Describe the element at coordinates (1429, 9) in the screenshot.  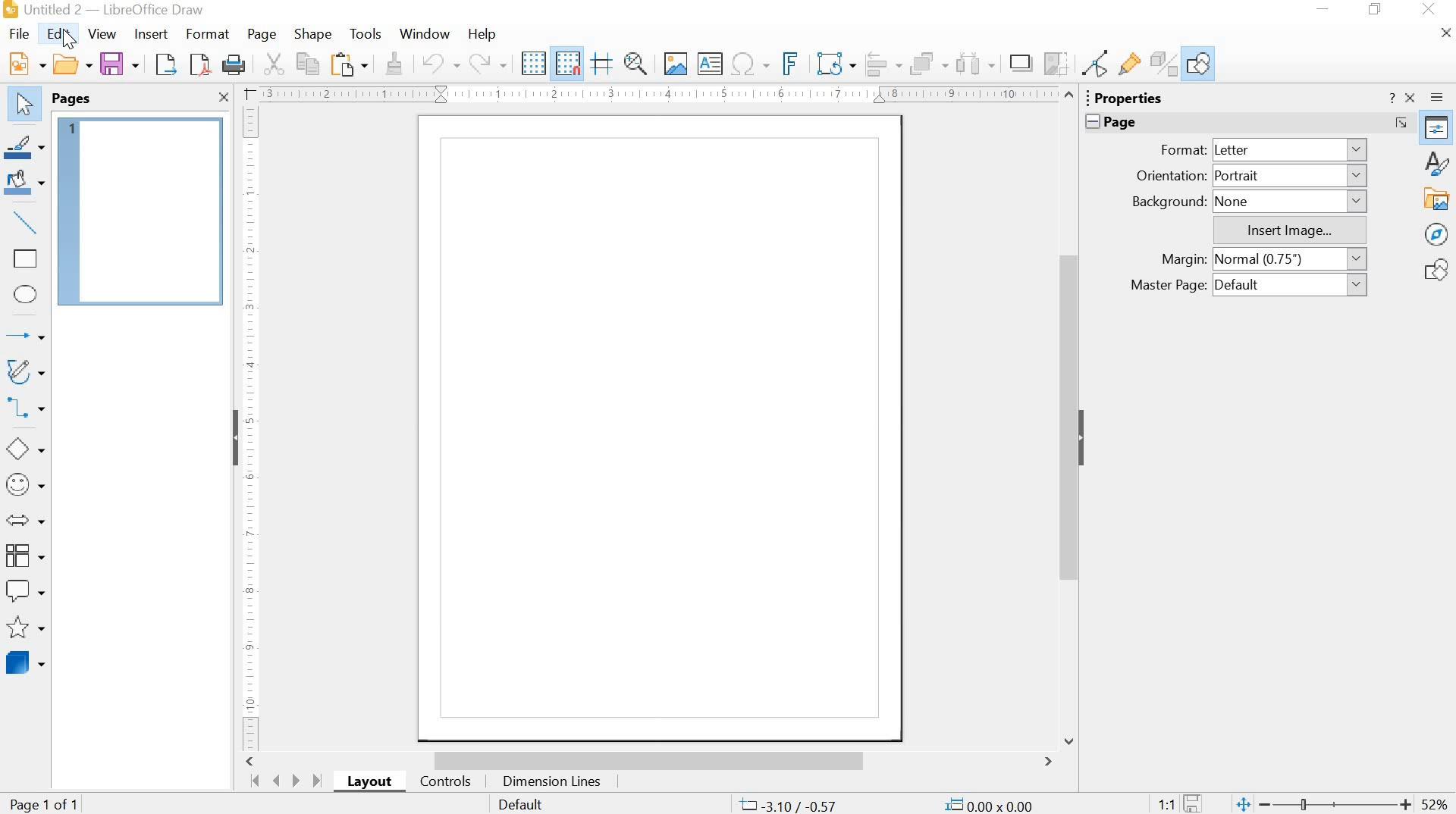
I see `close` at that location.